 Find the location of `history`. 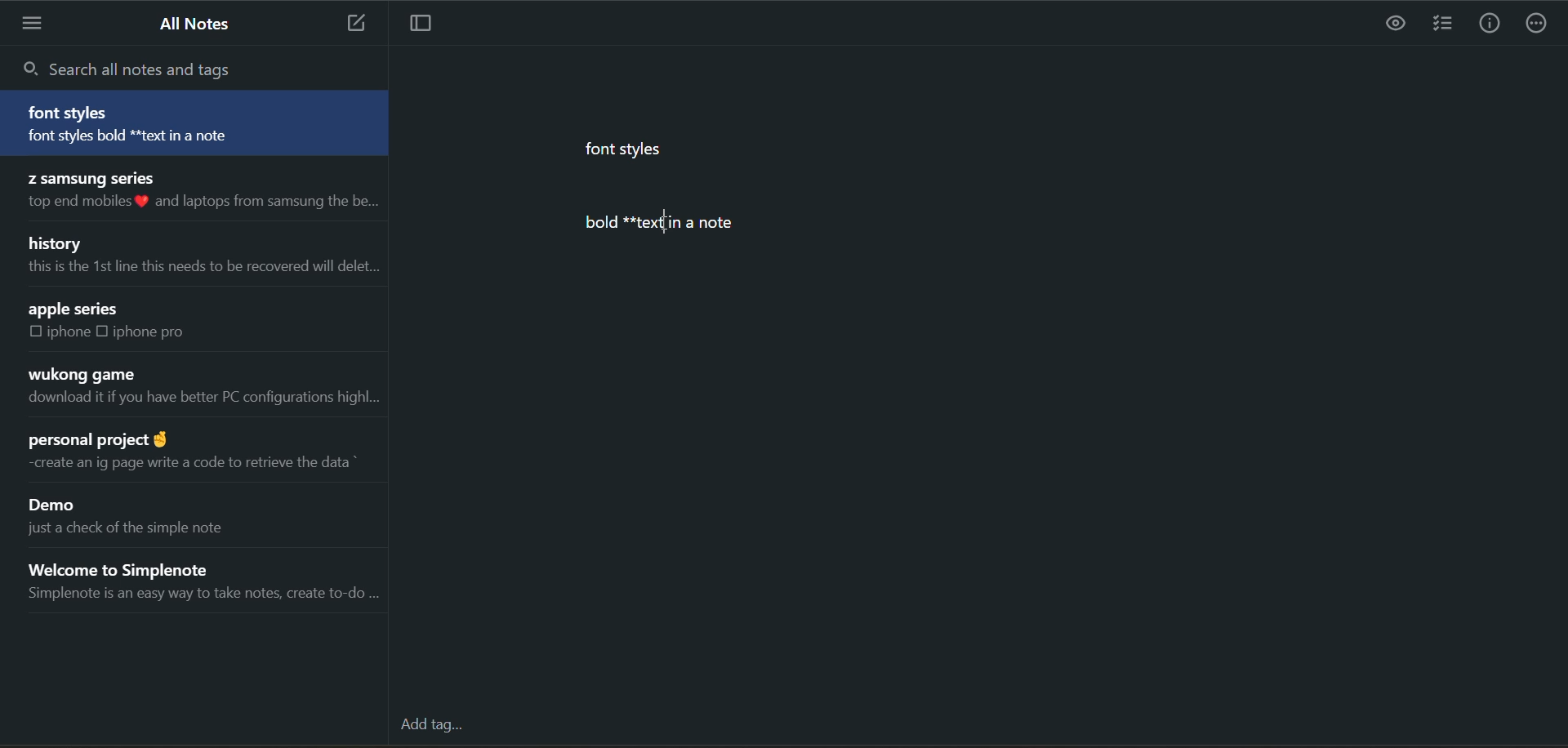

history is located at coordinates (58, 242).